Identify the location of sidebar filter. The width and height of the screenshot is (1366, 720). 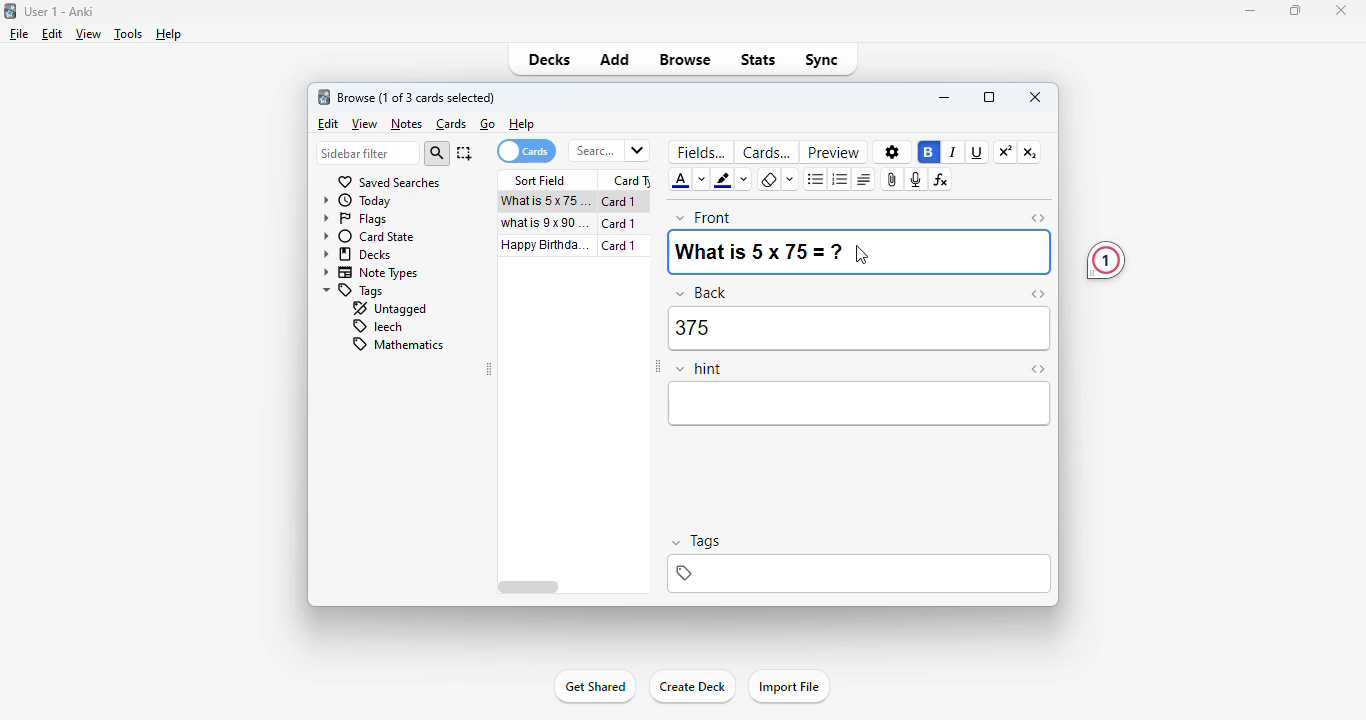
(366, 153).